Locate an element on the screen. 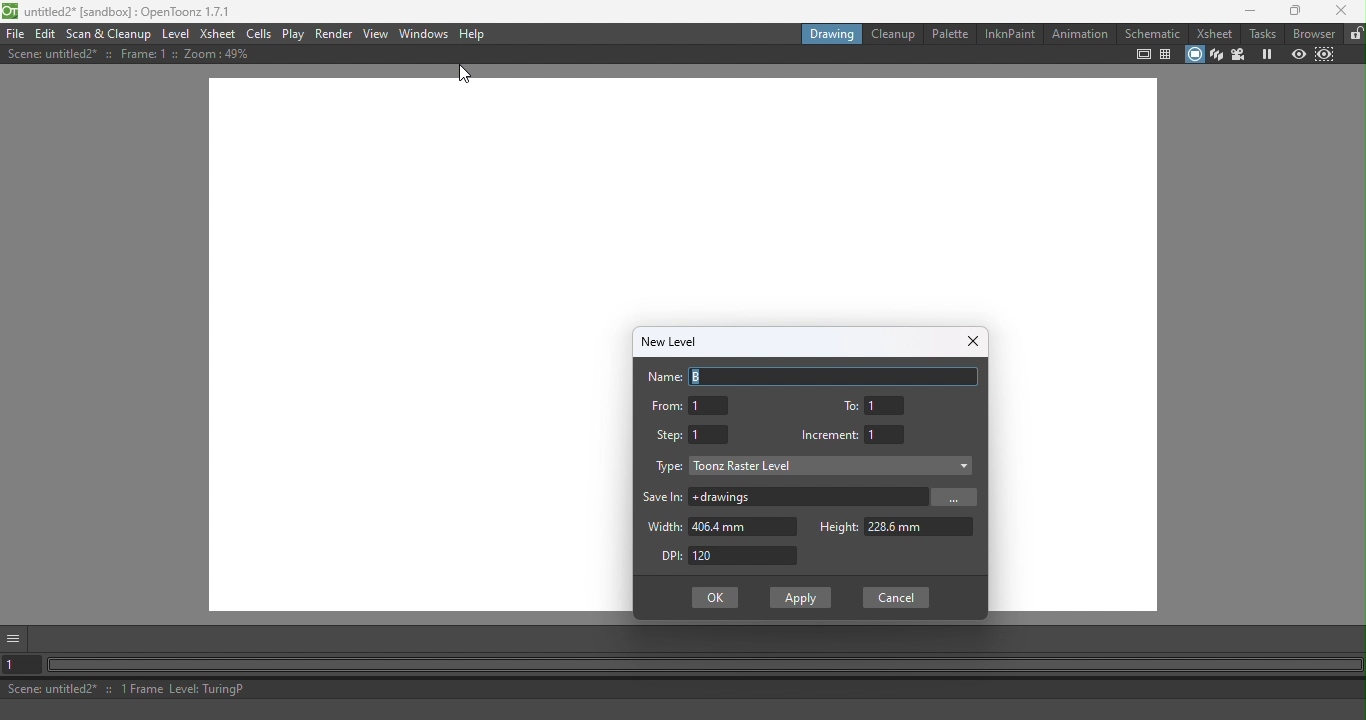 This screenshot has width=1366, height=720. Tasks is located at coordinates (1263, 33).